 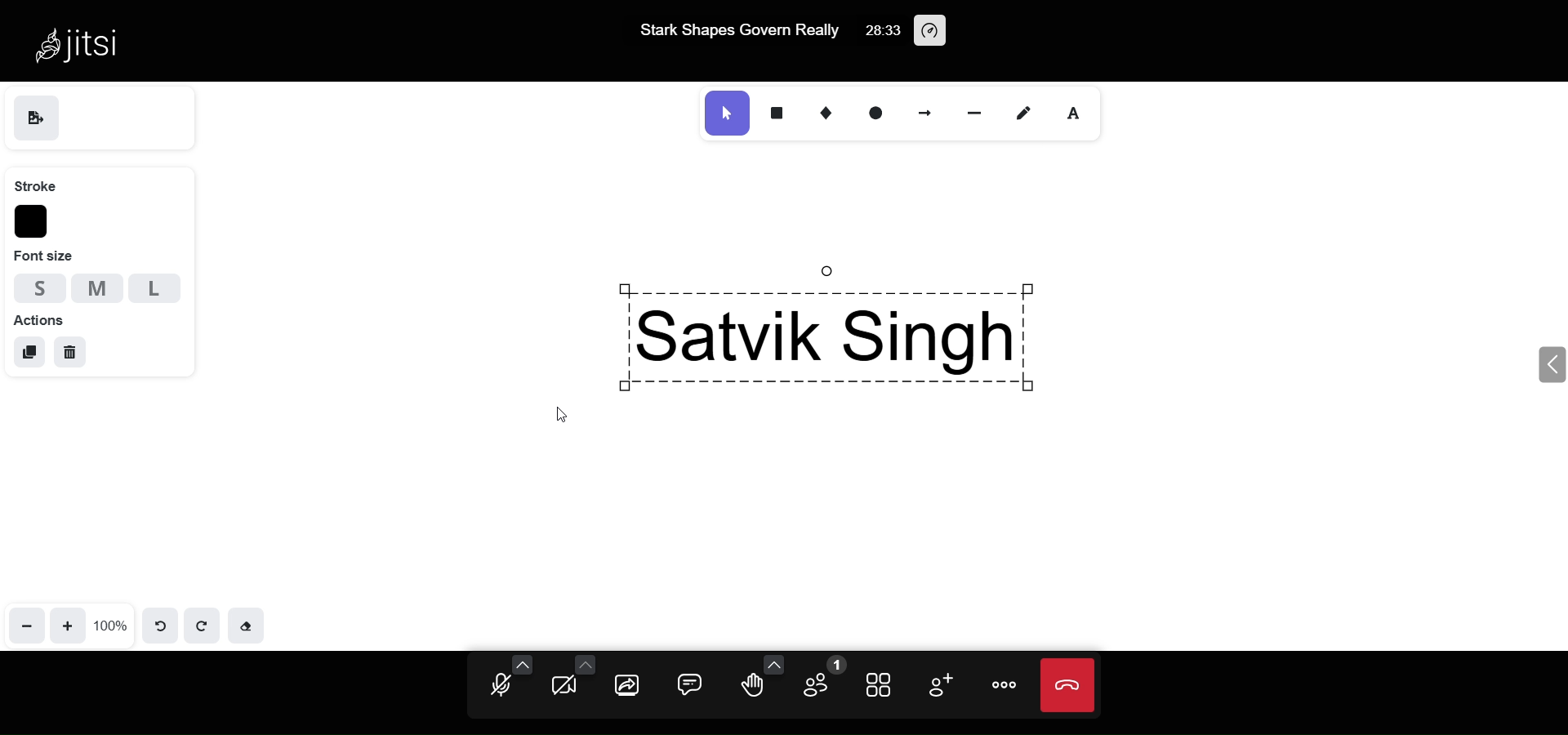 I want to click on more, so click(x=1006, y=687).